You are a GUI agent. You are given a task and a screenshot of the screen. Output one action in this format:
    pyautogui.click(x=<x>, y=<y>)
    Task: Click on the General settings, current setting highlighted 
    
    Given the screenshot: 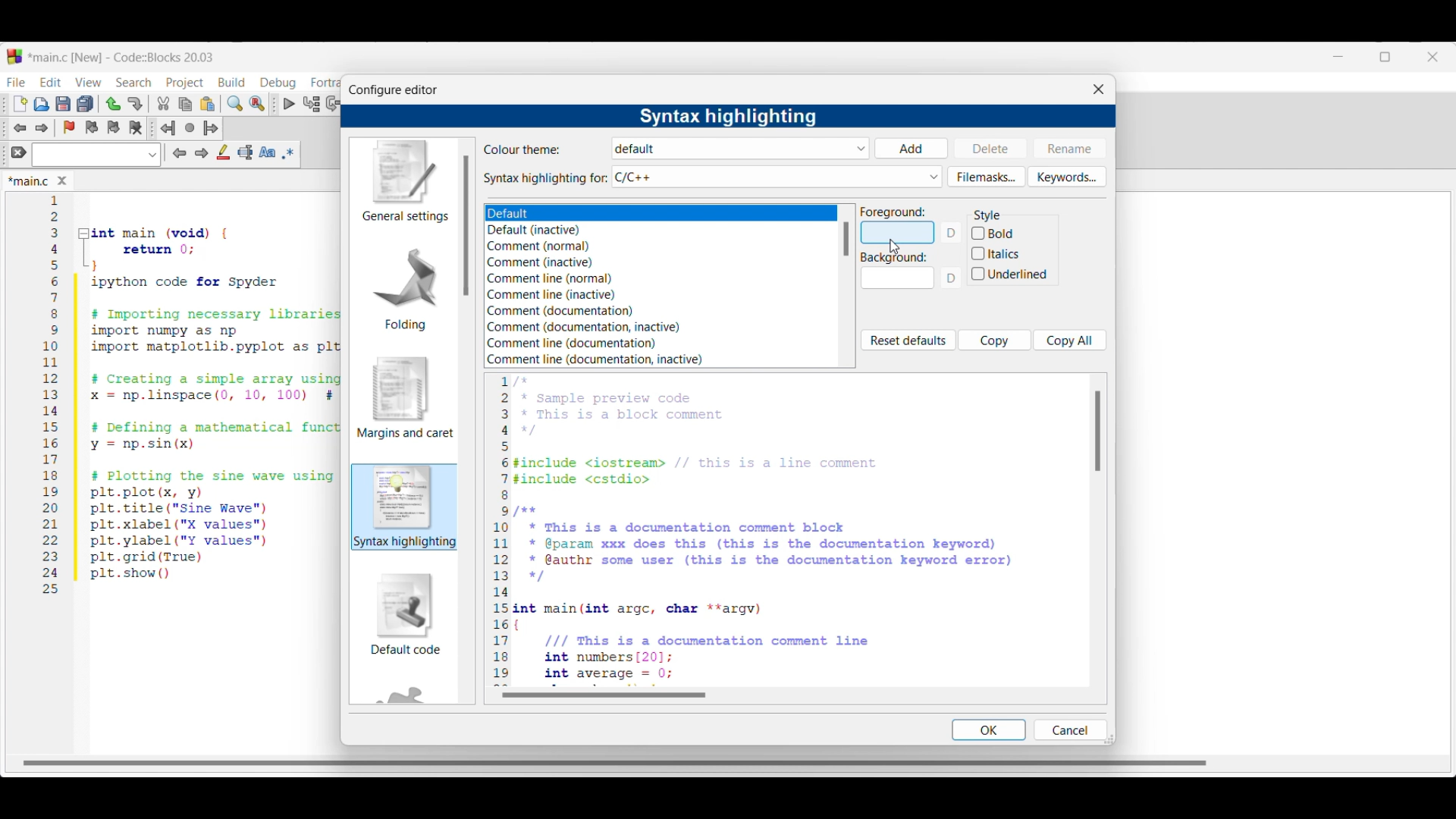 What is the action you would take?
    pyautogui.click(x=403, y=182)
    